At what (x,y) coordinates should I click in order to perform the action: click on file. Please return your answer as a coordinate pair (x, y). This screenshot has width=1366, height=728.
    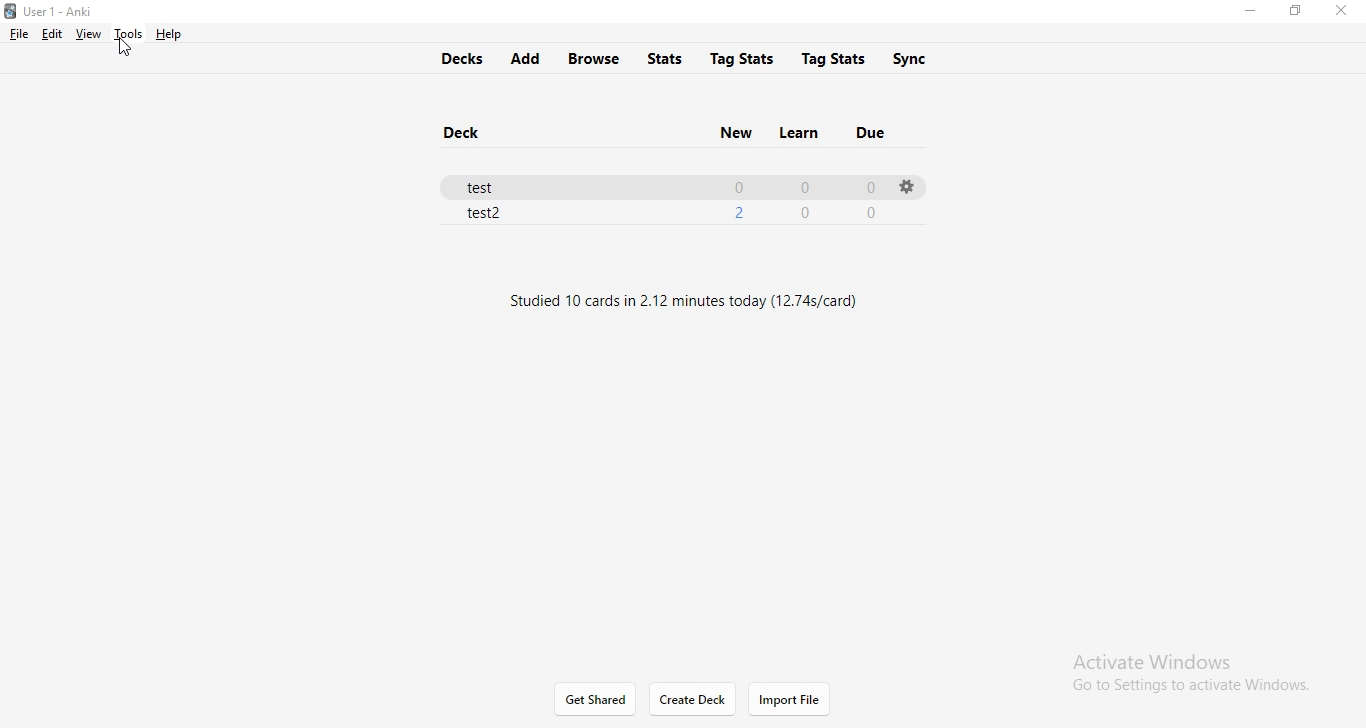
    Looking at the image, I should click on (22, 32).